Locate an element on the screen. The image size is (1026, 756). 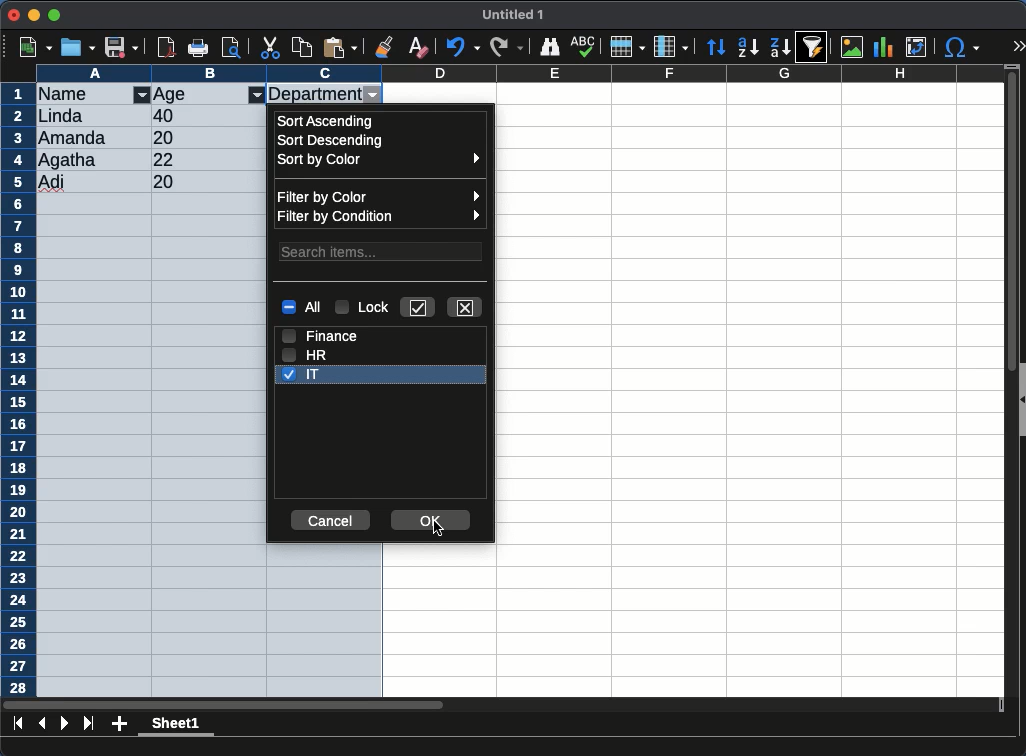
redo is located at coordinates (505, 47).